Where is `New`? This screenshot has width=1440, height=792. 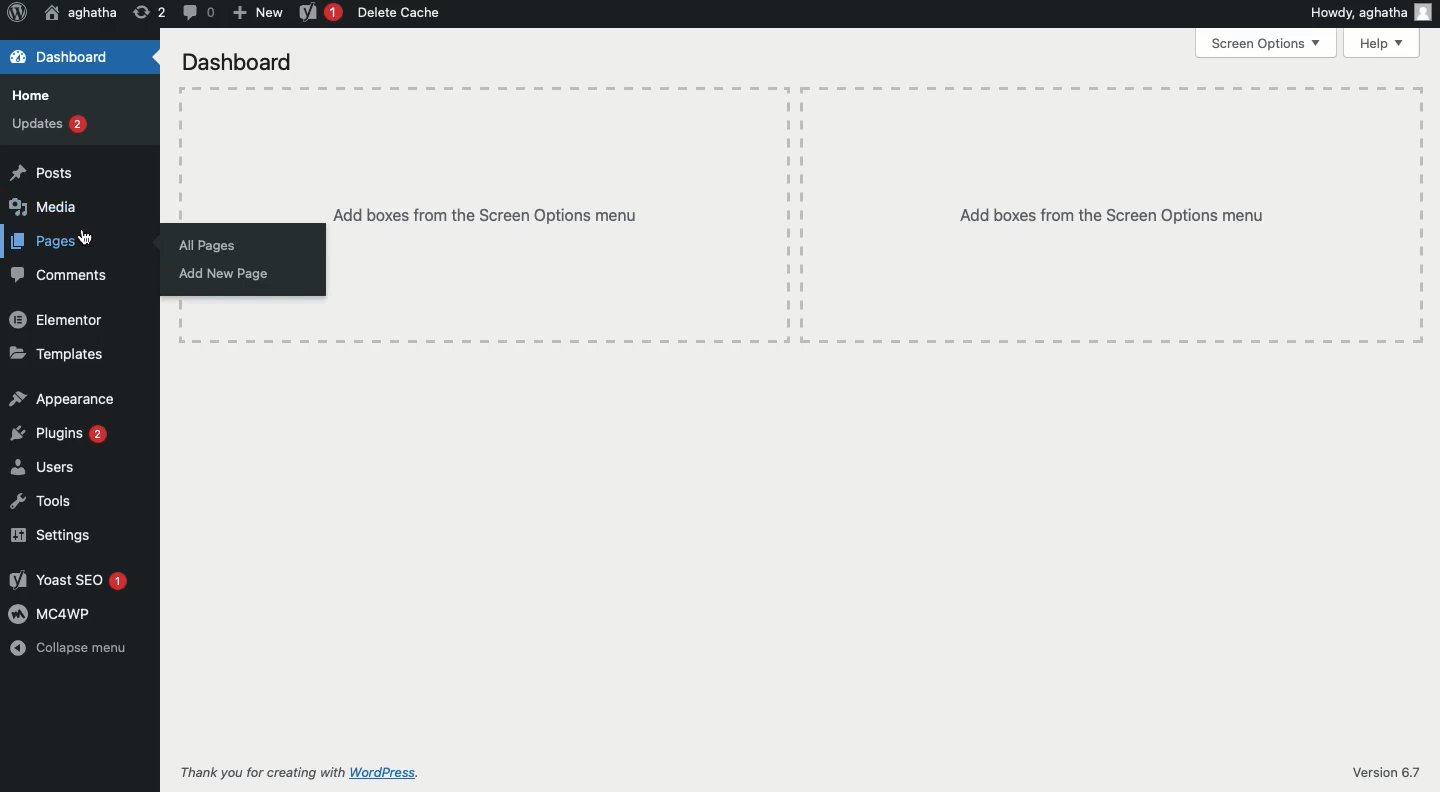 New is located at coordinates (256, 14).